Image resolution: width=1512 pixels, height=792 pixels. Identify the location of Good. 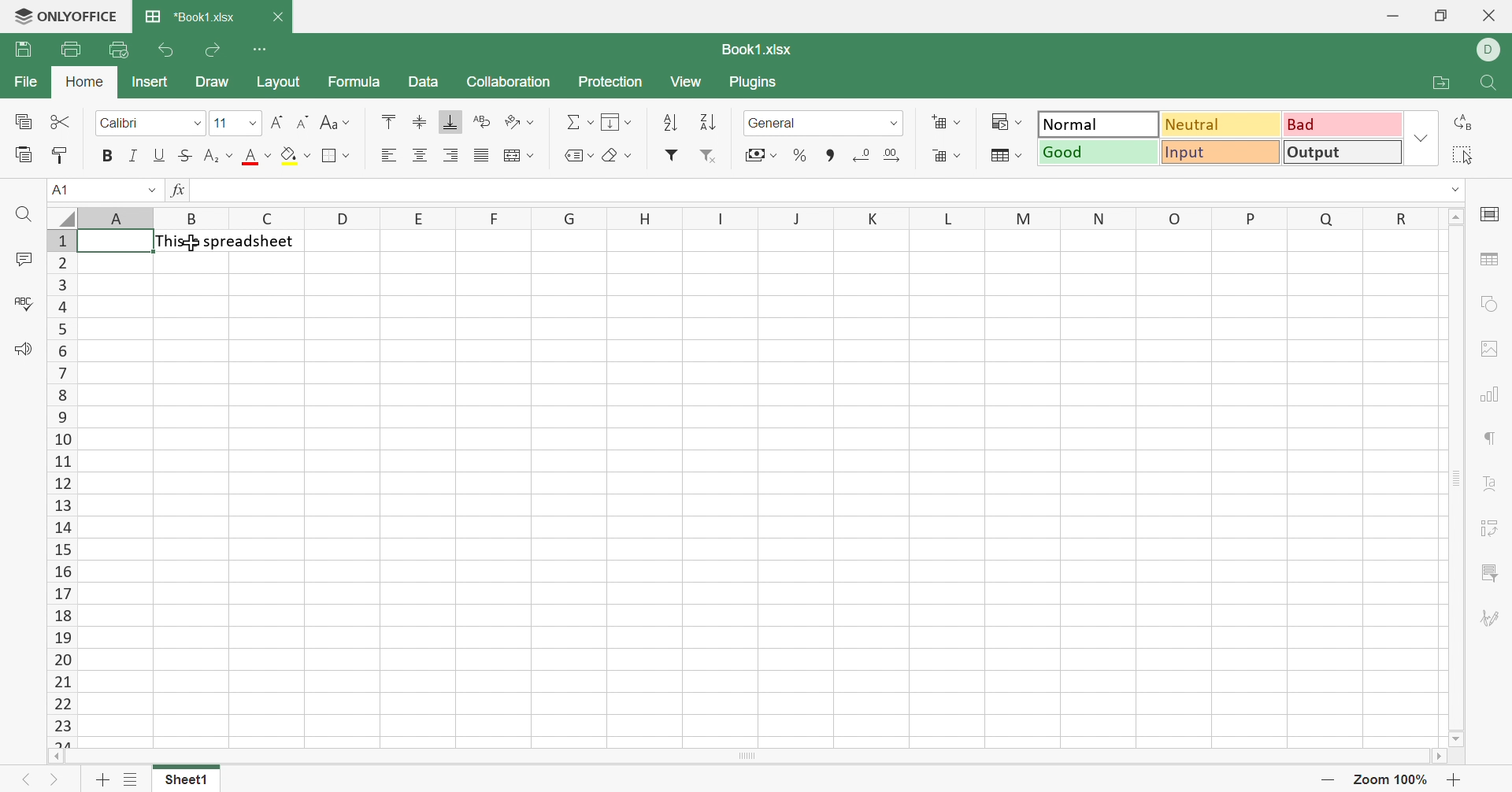
(1100, 152).